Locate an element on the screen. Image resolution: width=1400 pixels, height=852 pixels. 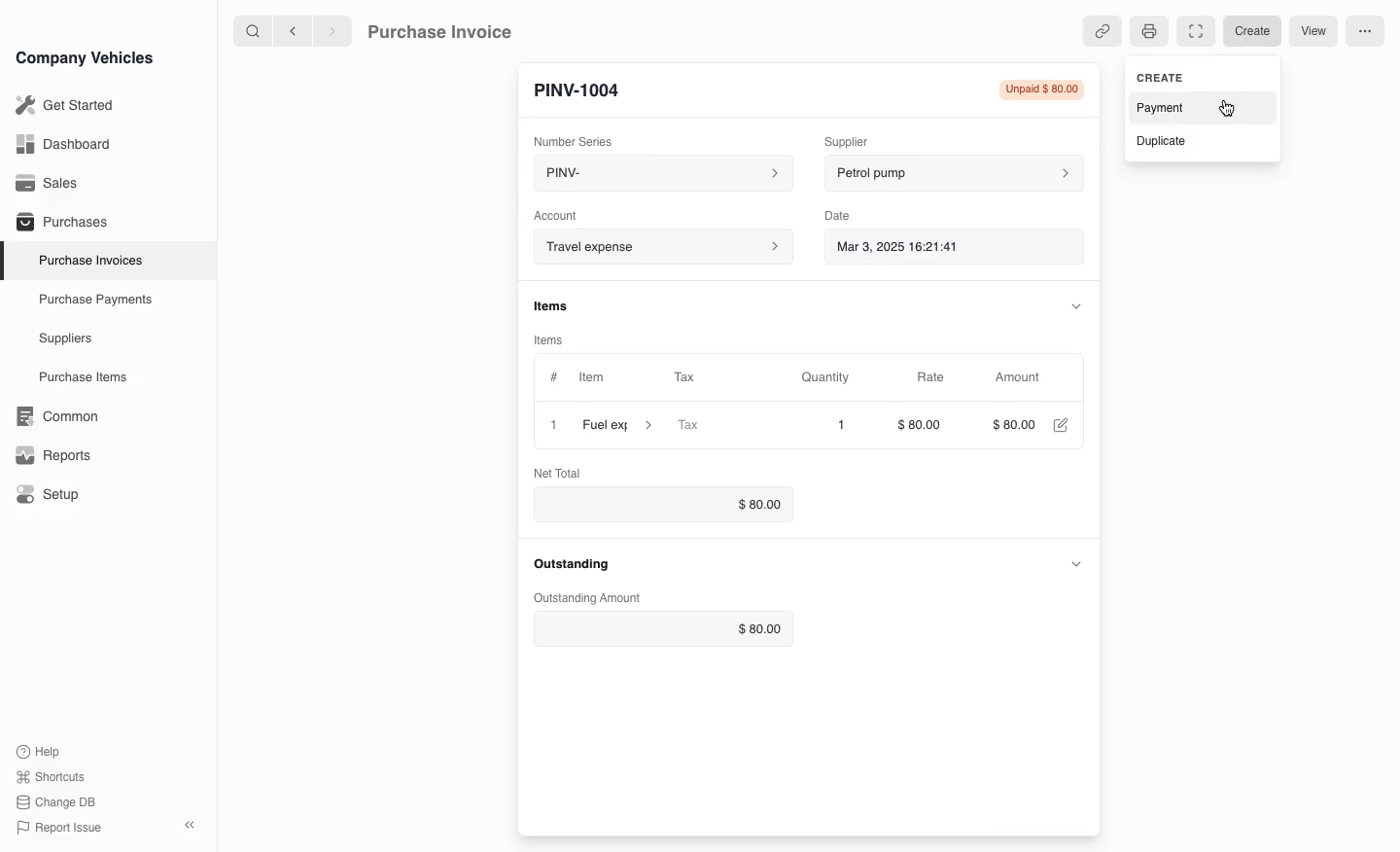
Tax is located at coordinates (693, 378).